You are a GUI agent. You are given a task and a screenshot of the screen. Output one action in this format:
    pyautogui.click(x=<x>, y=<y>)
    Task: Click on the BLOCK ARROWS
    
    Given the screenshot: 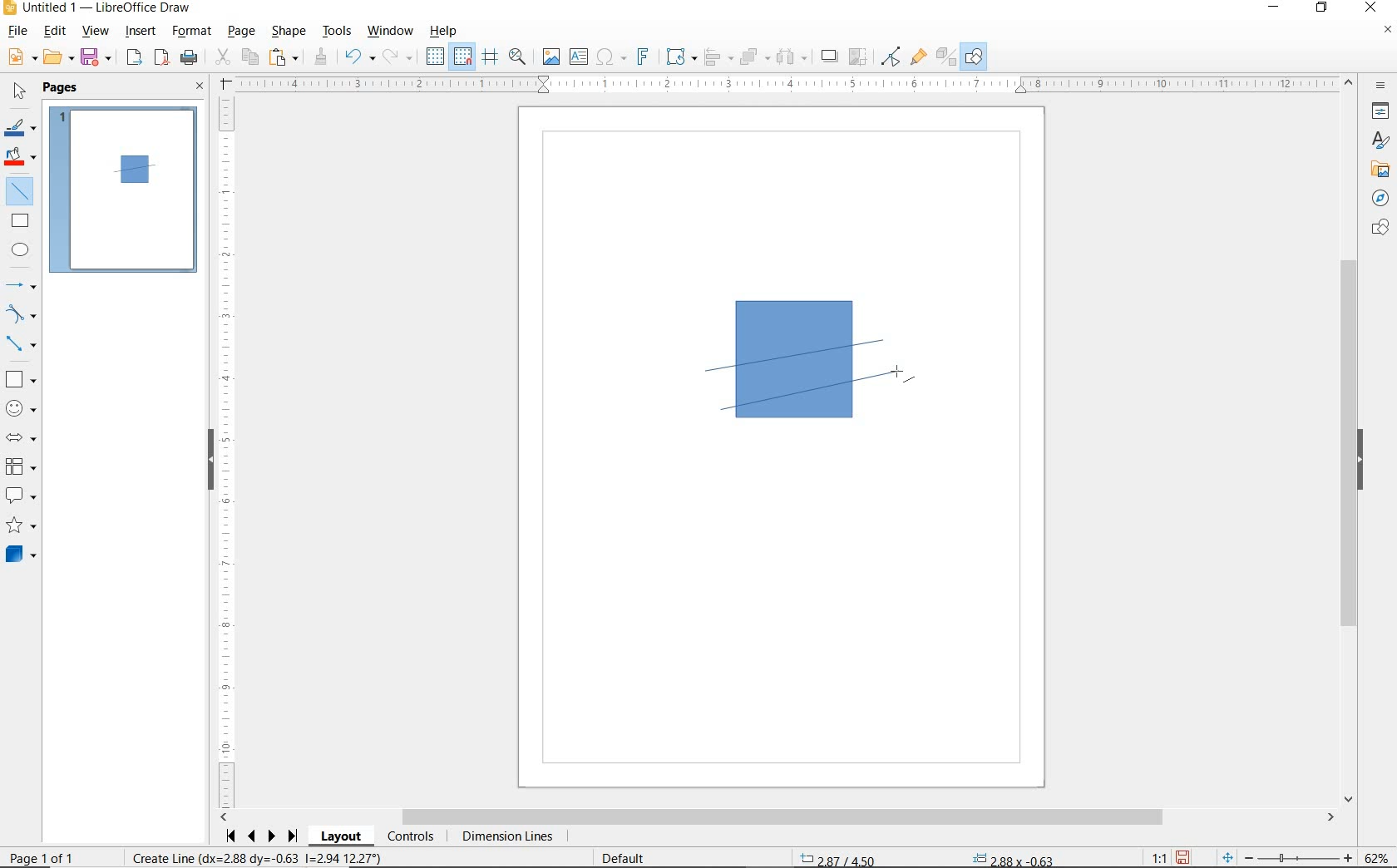 What is the action you would take?
    pyautogui.click(x=26, y=437)
    